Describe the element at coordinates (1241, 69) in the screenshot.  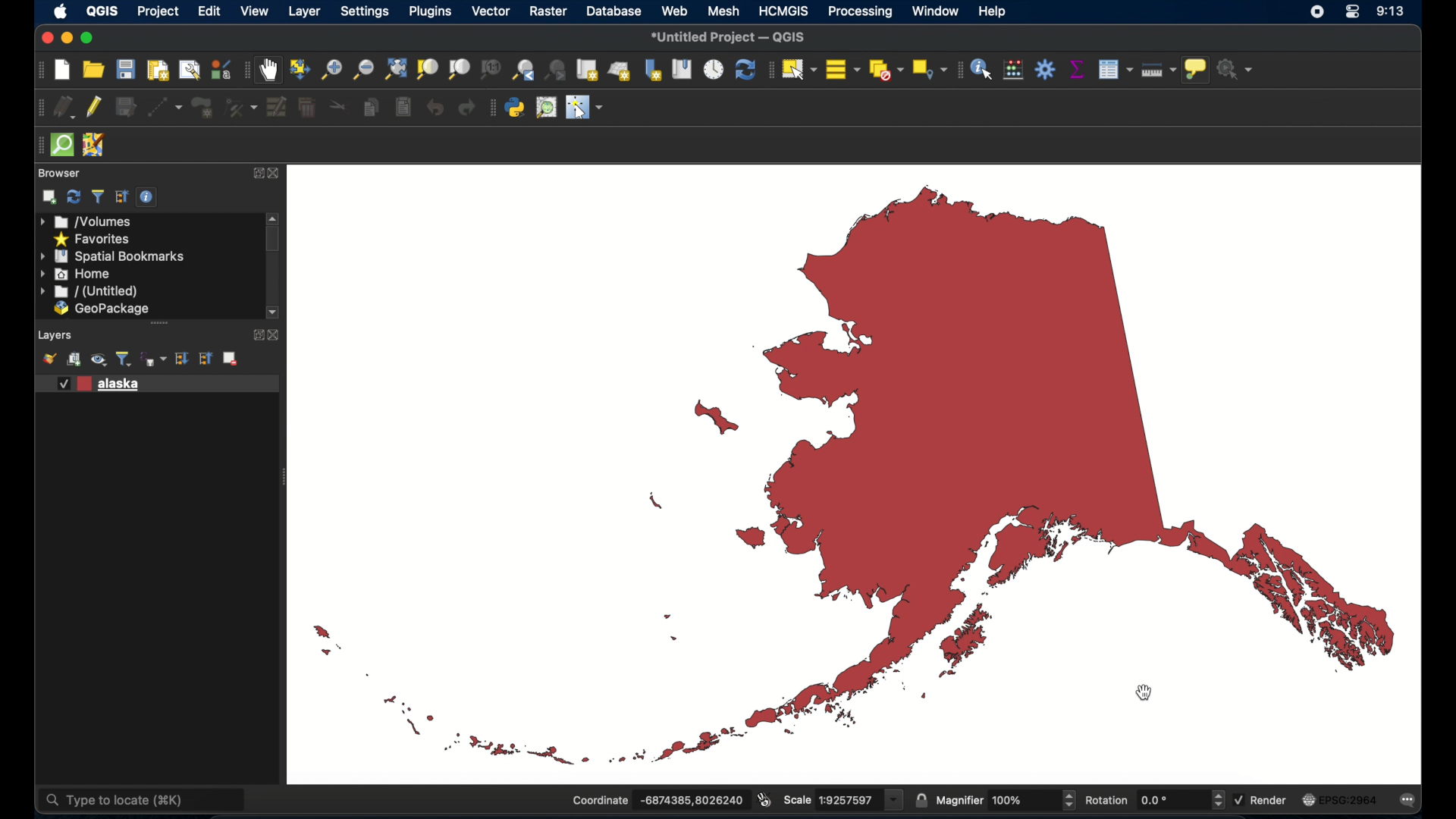
I see `no action selected` at that location.